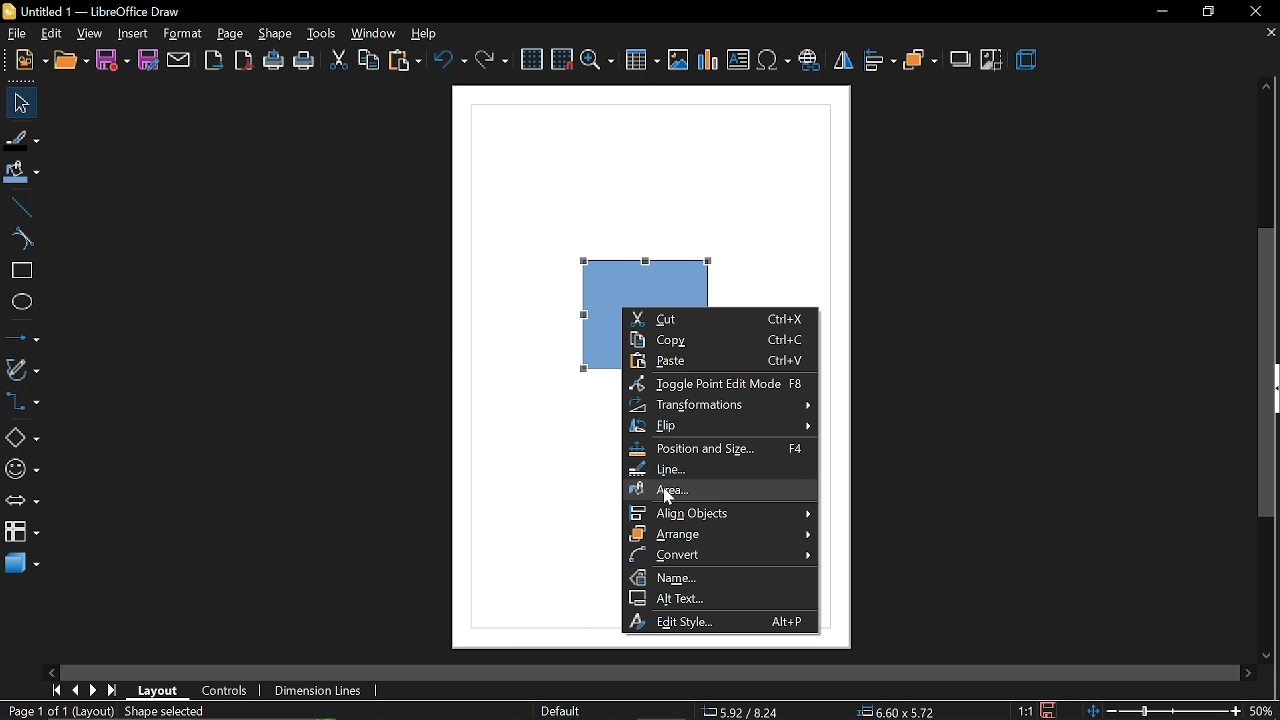 The width and height of the screenshot is (1280, 720). Describe the element at coordinates (718, 598) in the screenshot. I see `alt text` at that location.